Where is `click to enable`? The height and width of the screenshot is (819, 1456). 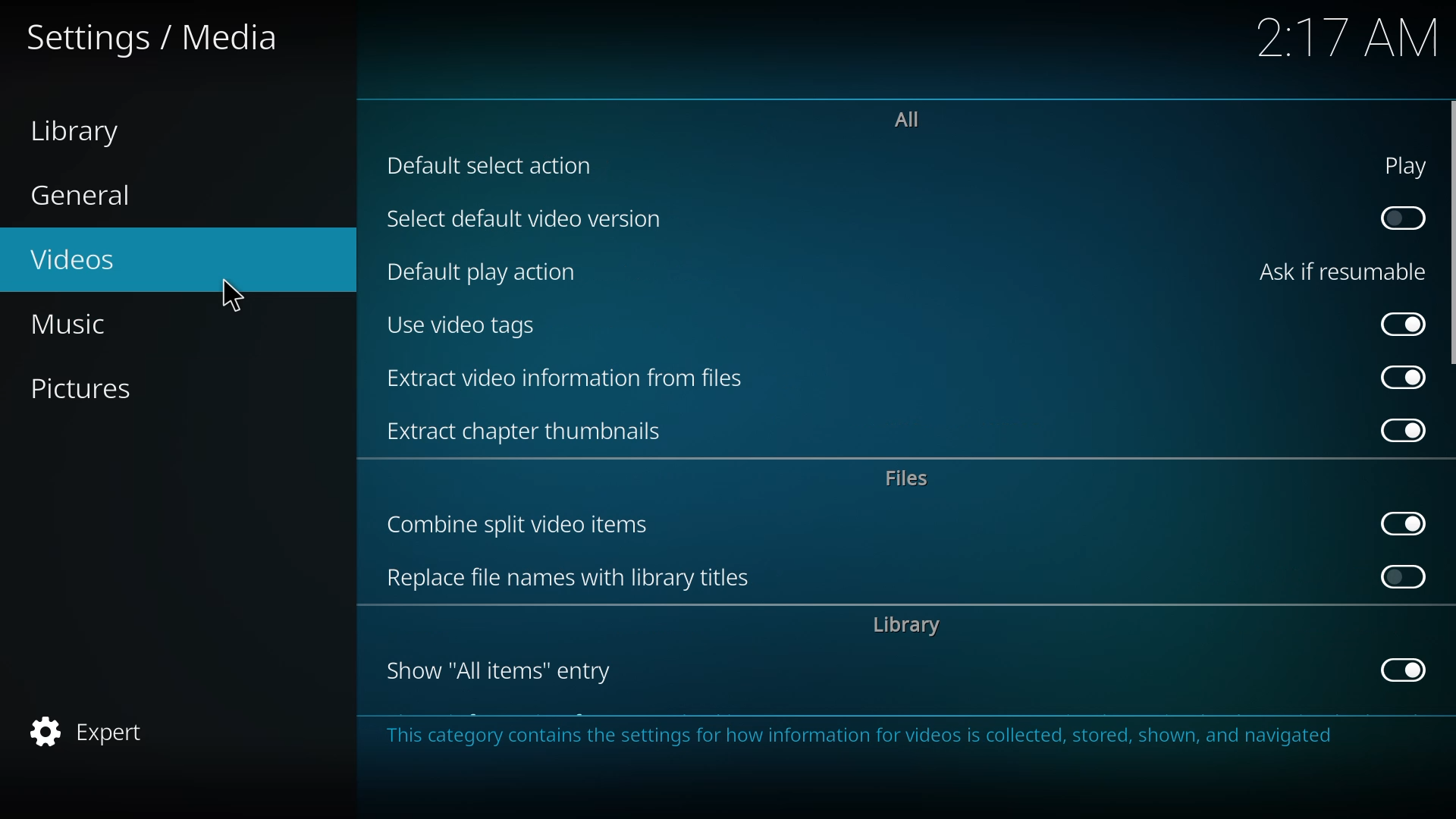
click to enable is located at coordinates (1399, 579).